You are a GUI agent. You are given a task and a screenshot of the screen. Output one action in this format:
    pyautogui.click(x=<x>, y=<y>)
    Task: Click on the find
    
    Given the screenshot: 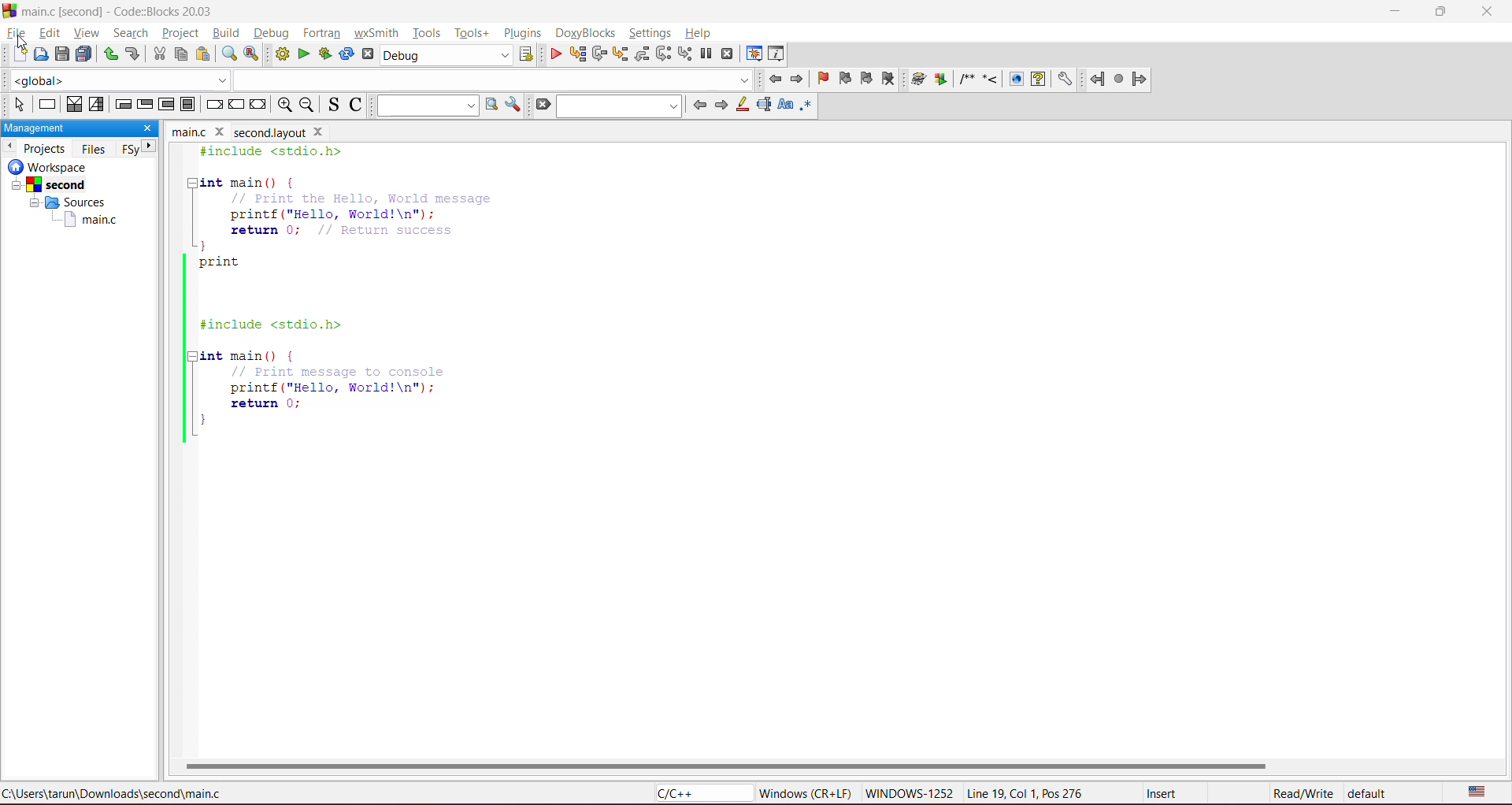 What is the action you would take?
    pyautogui.click(x=231, y=54)
    